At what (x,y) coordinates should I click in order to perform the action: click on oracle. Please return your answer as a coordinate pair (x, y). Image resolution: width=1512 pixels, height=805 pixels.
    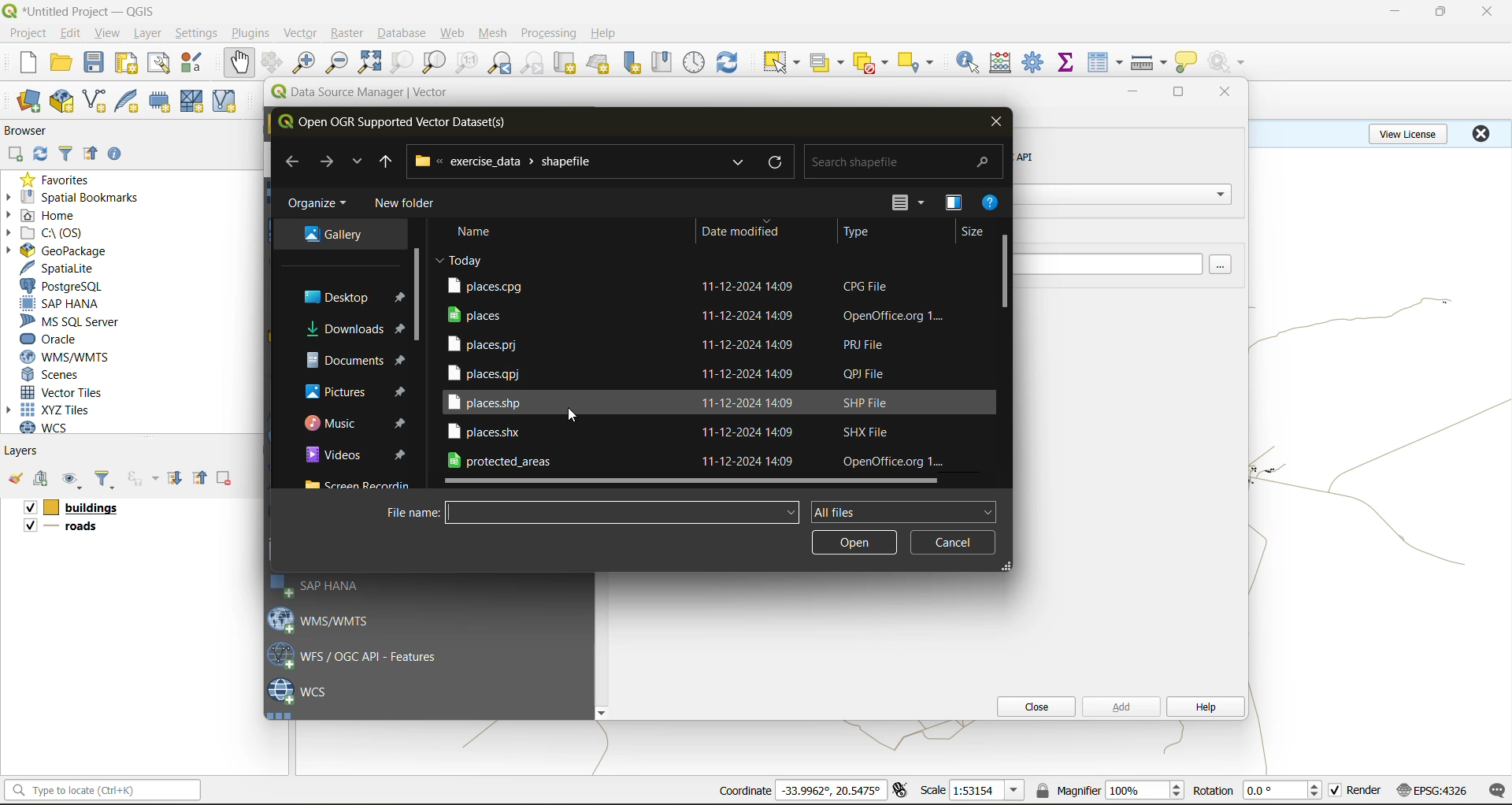
    Looking at the image, I should click on (55, 339).